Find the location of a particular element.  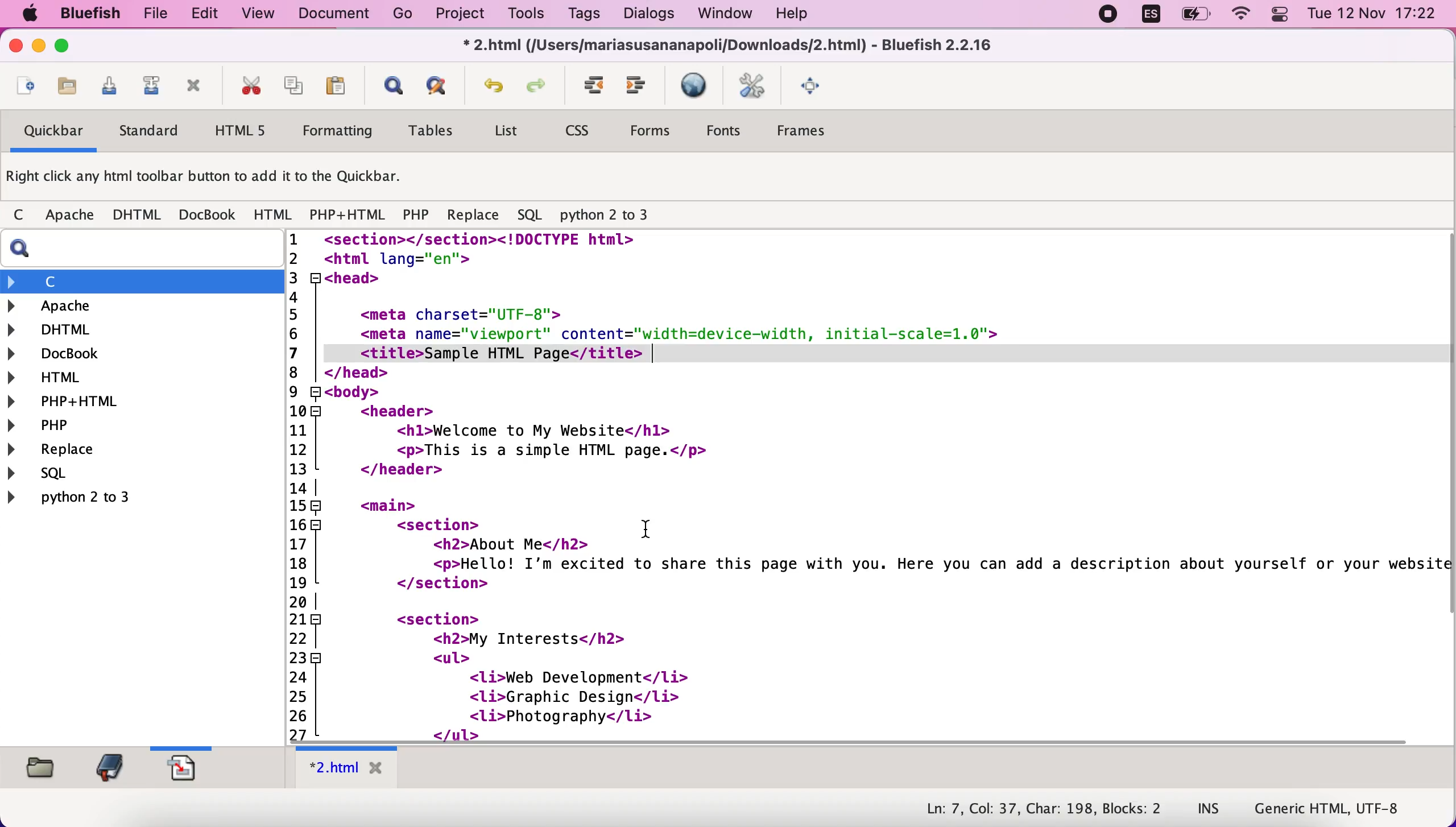

copy is located at coordinates (297, 86).